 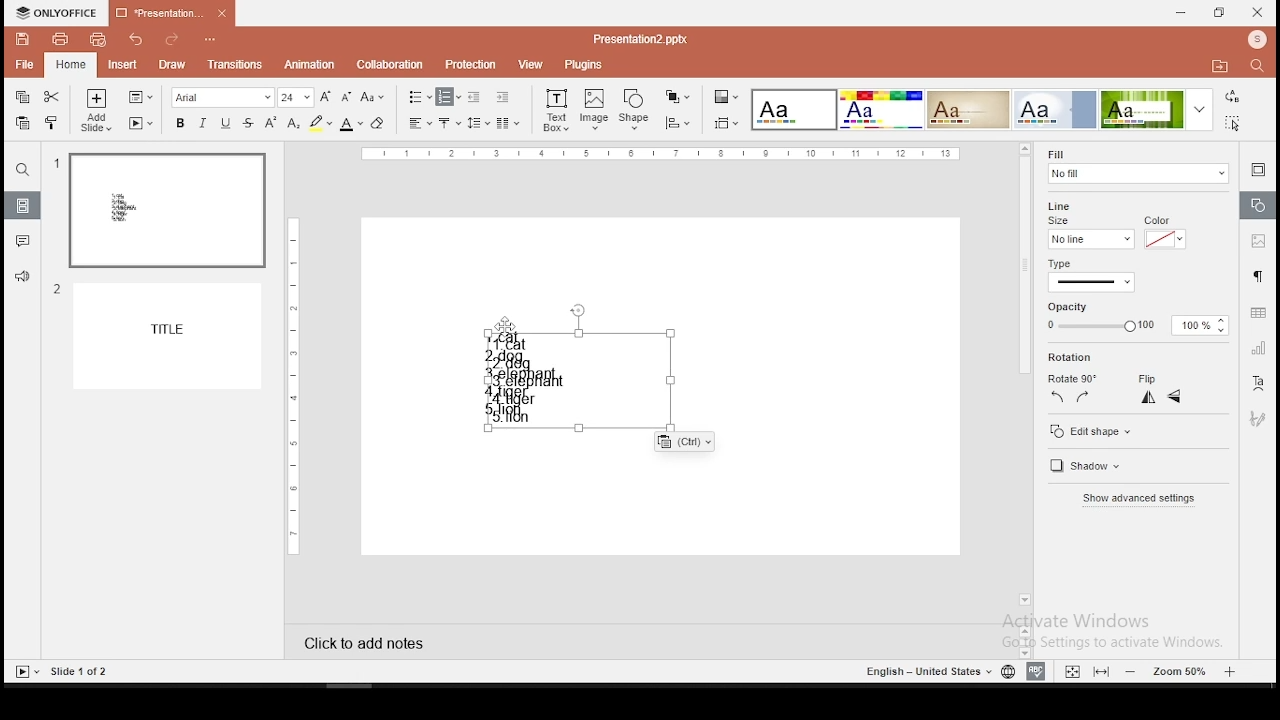 What do you see at coordinates (1256, 350) in the screenshot?
I see `chart settings` at bounding box center [1256, 350].